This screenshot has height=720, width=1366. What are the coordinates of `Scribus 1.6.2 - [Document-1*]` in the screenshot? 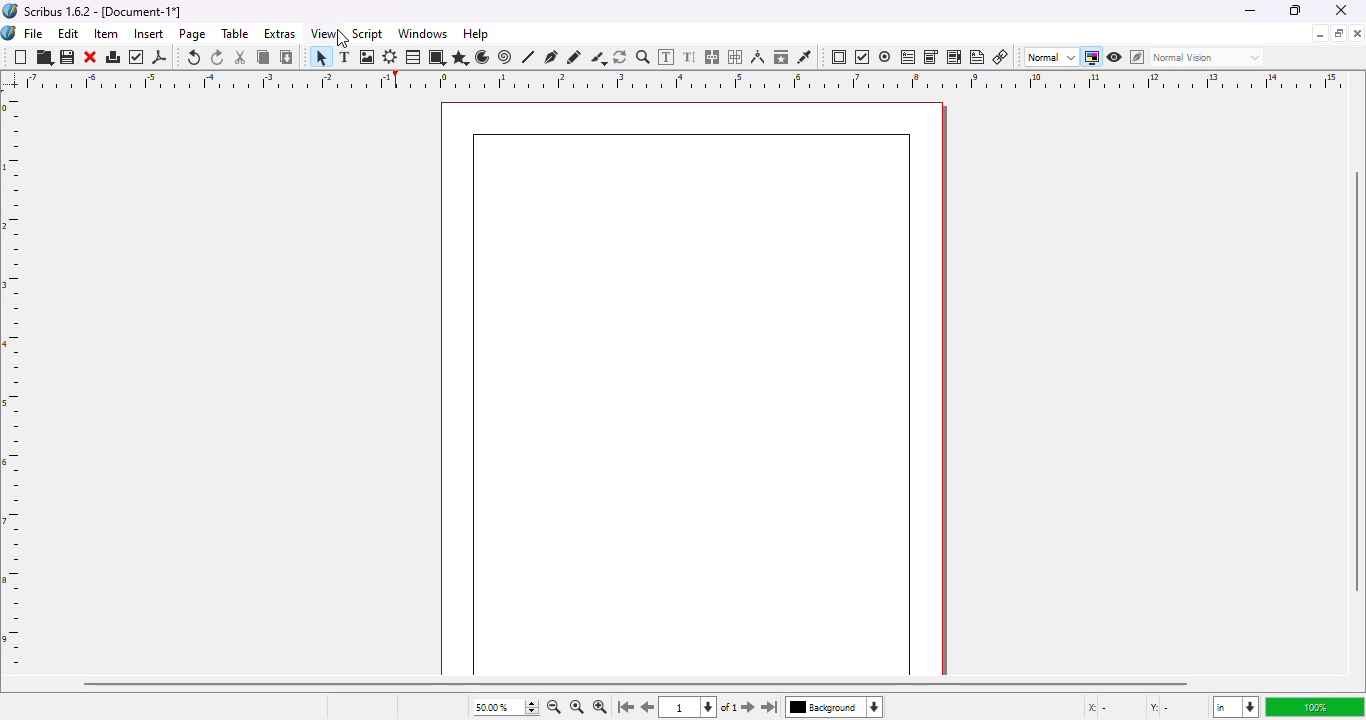 It's located at (104, 11).